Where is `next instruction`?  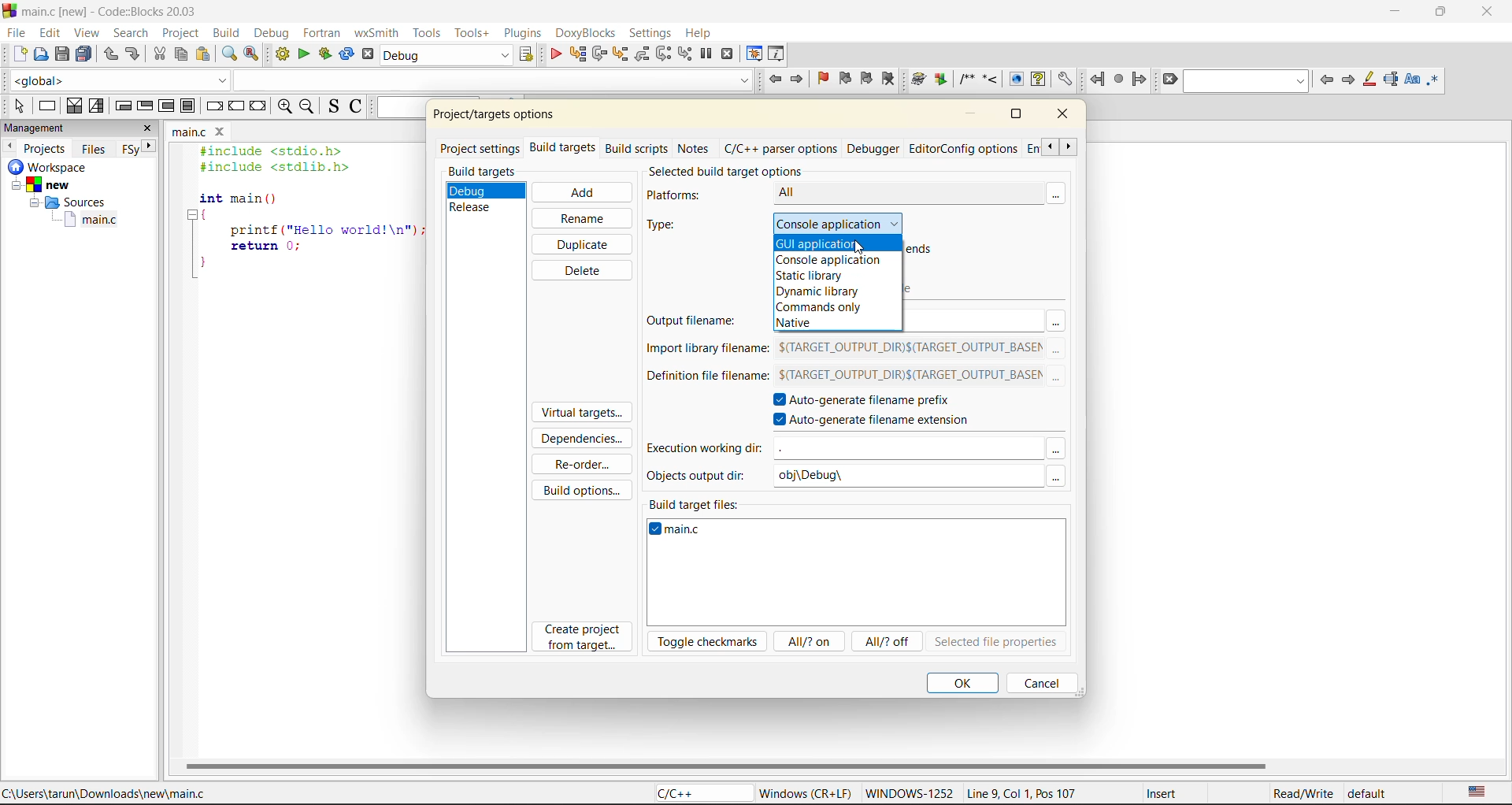 next instruction is located at coordinates (664, 54).